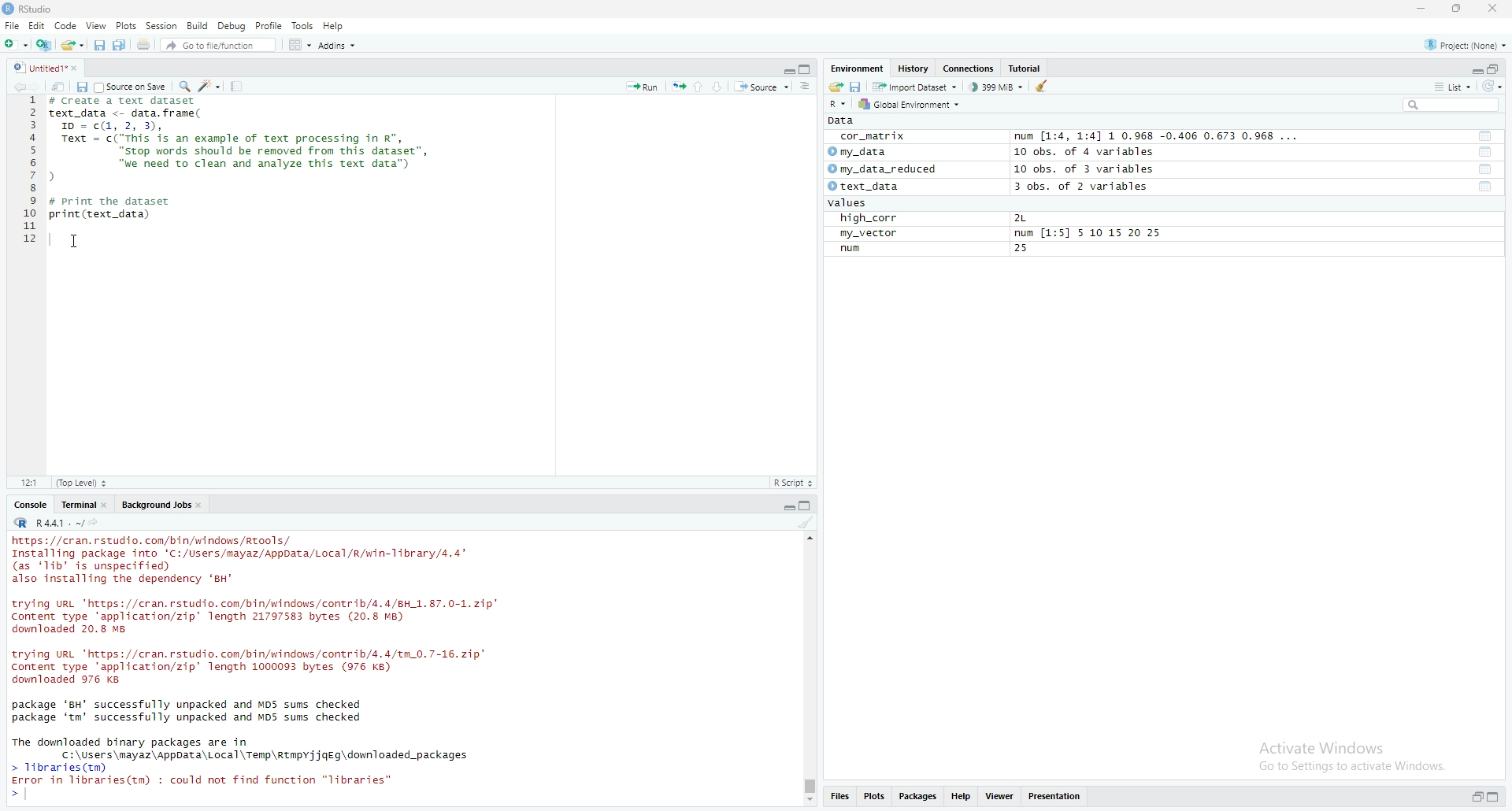 Image resolution: width=1512 pixels, height=811 pixels. Describe the element at coordinates (29, 10) in the screenshot. I see `rstudio` at that location.